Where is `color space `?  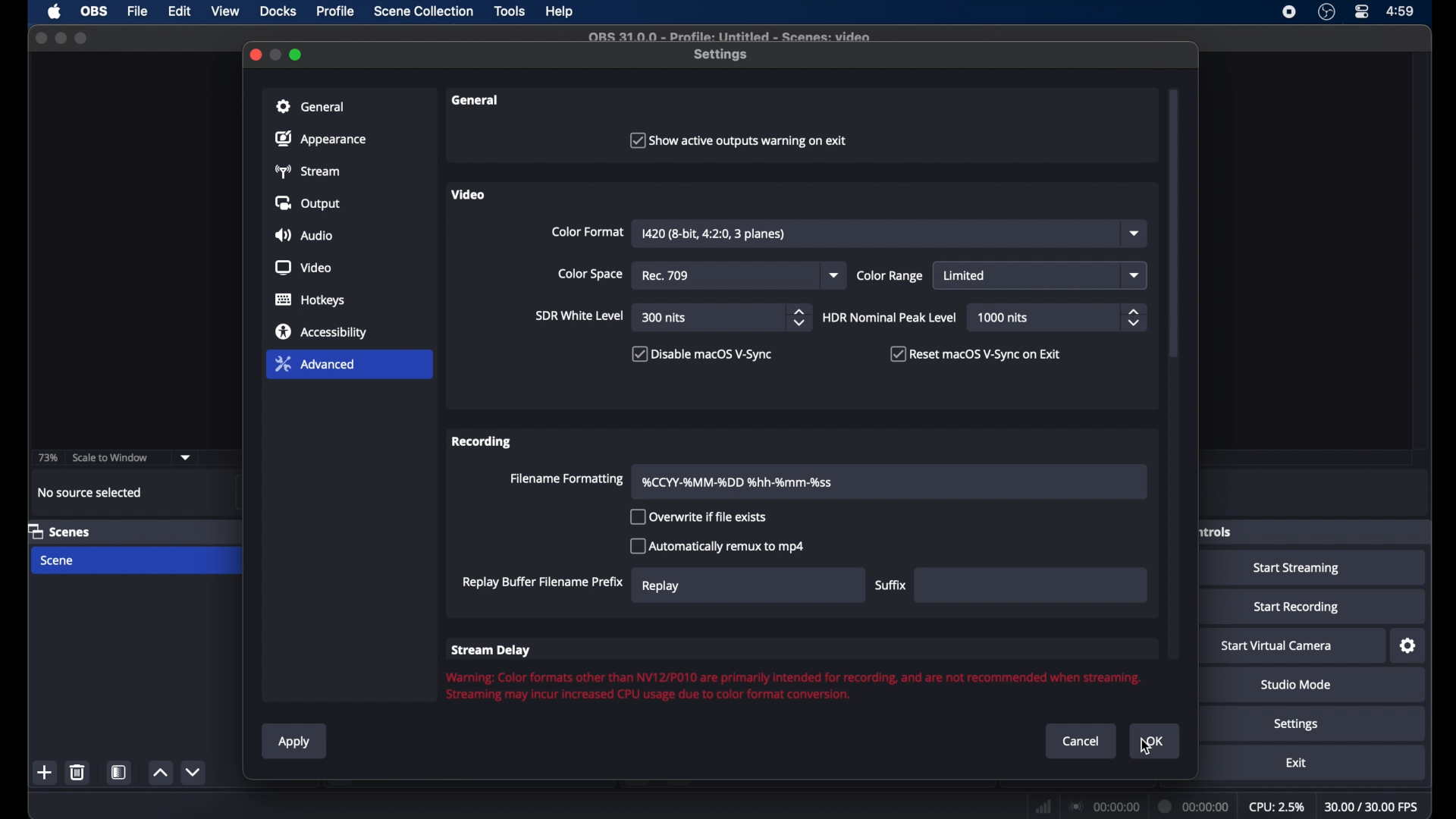 color space  is located at coordinates (591, 275).